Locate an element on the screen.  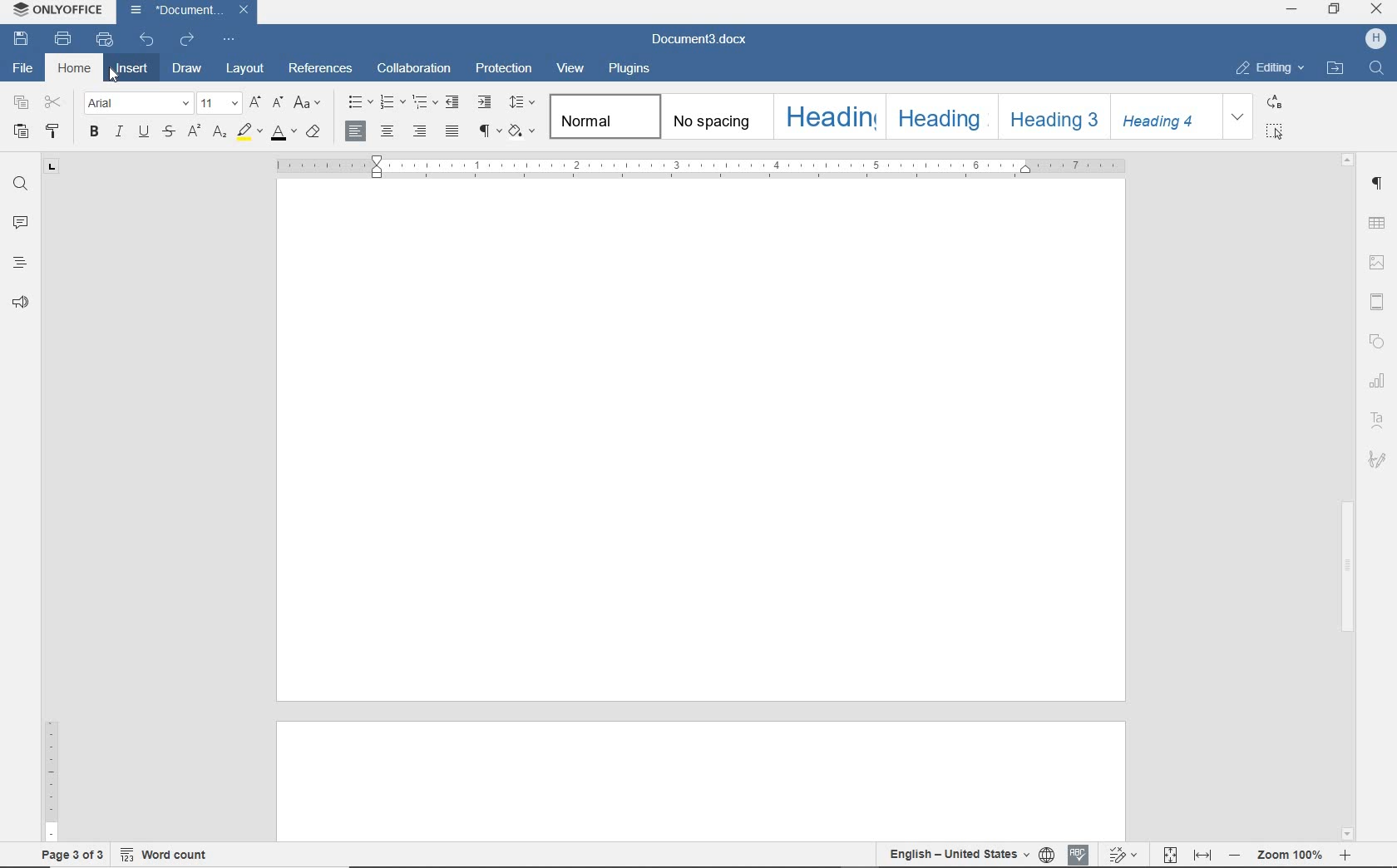
FIND is located at coordinates (1376, 70).